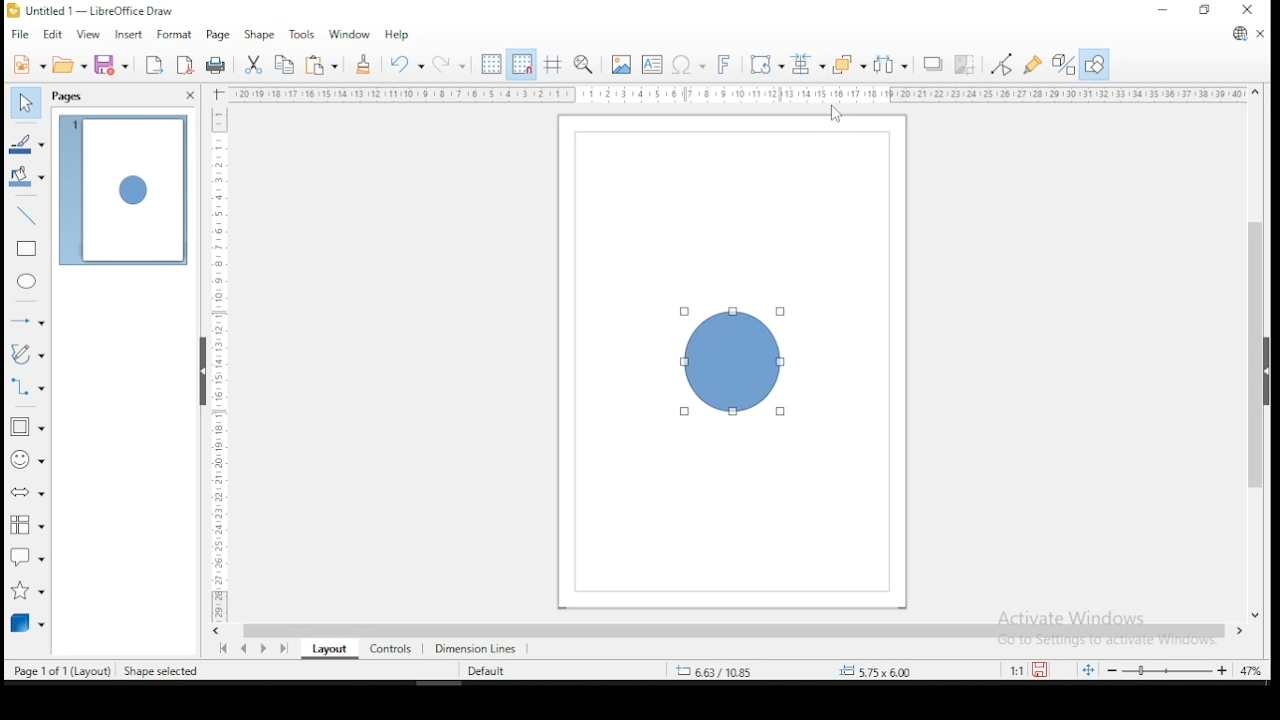 The image size is (1280, 720). What do you see at coordinates (835, 114) in the screenshot?
I see `mouse pointer` at bounding box center [835, 114].